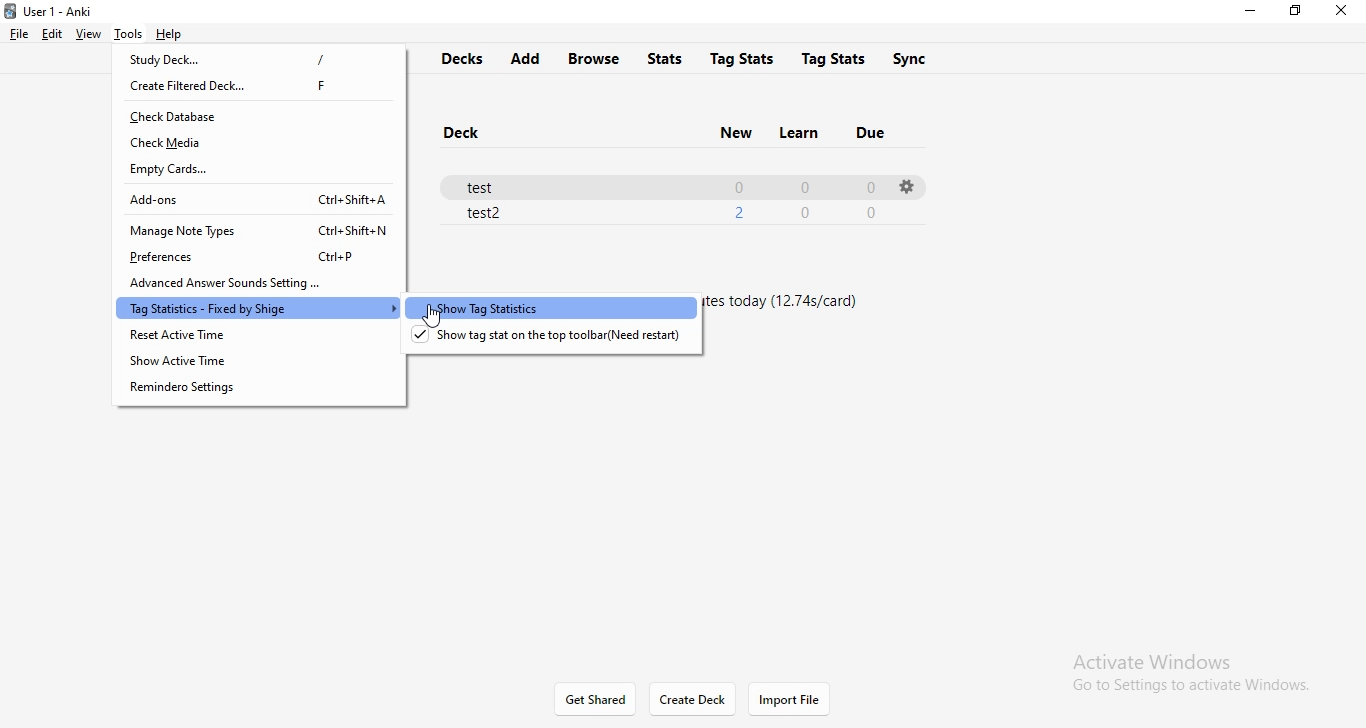 The width and height of the screenshot is (1366, 728). Describe the element at coordinates (260, 170) in the screenshot. I see `empty cards` at that location.